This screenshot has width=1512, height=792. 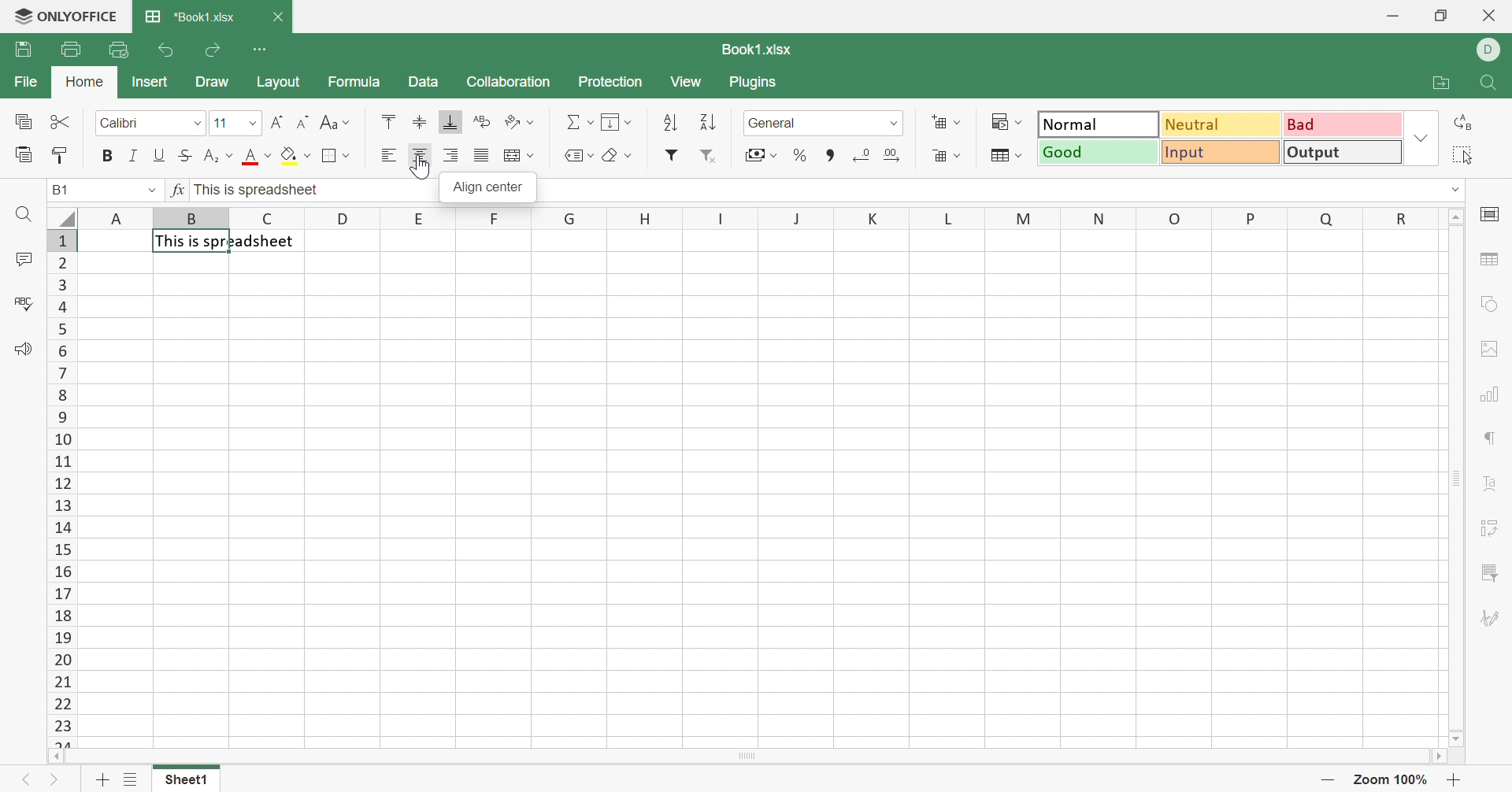 What do you see at coordinates (936, 120) in the screenshot?
I see `Insert cells` at bounding box center [936, 120].